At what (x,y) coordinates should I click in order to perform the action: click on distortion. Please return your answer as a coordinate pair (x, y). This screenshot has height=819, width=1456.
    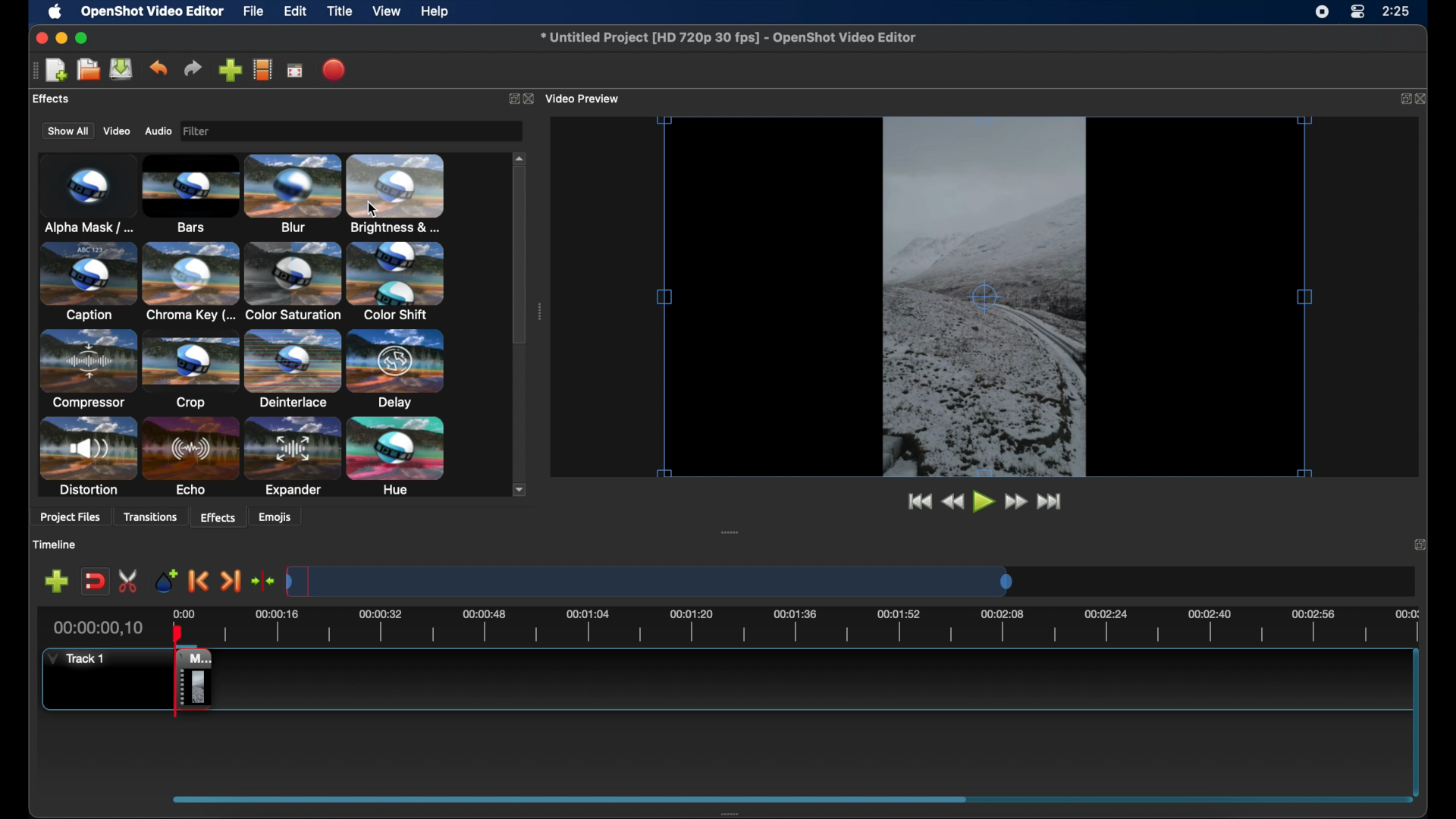
    Looking at the image, I should click on (88, 457).